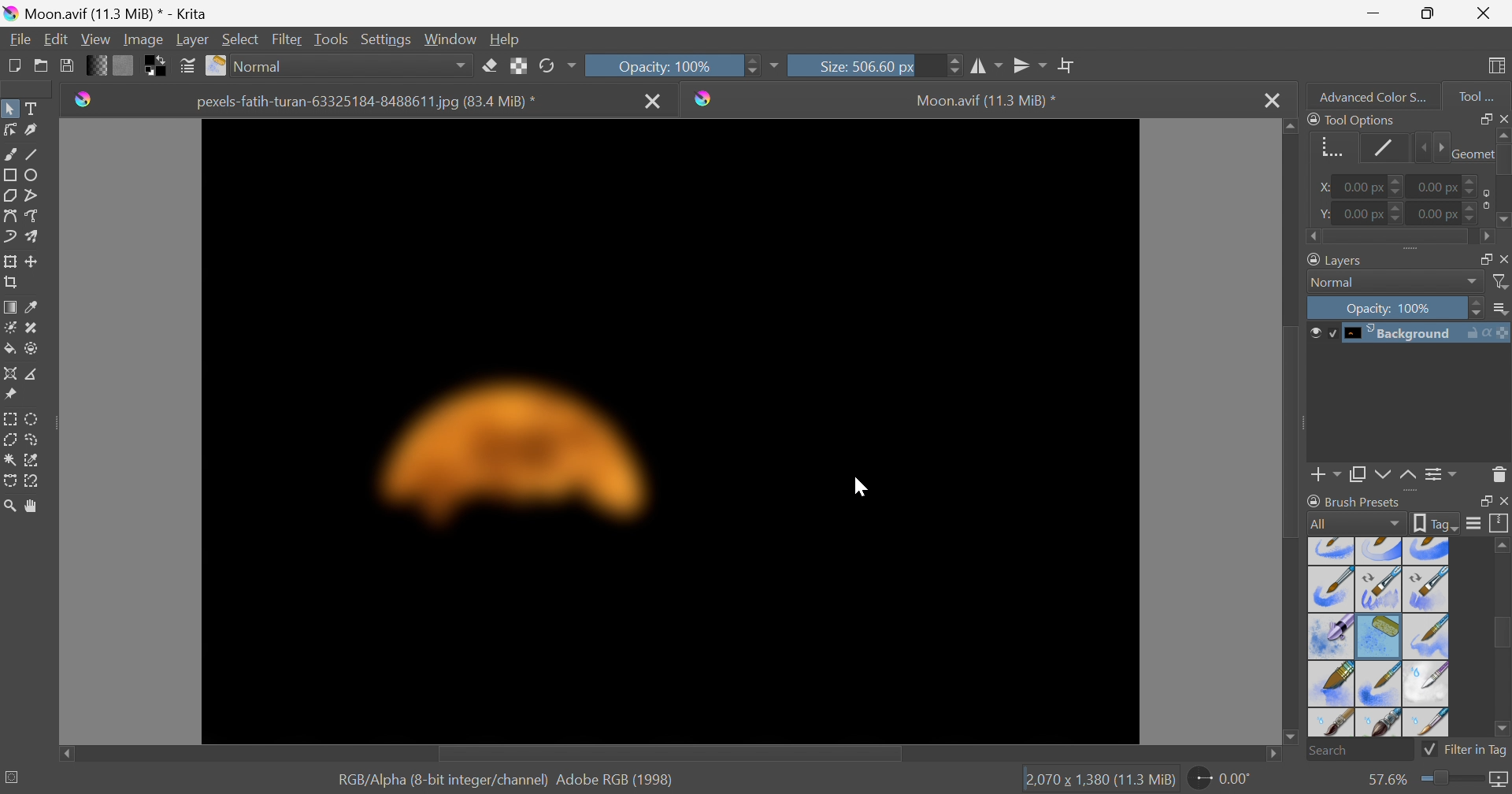  Describe the element at coordinates (1399, 238) in the screenshot. I see `Scroll bar` at that location.